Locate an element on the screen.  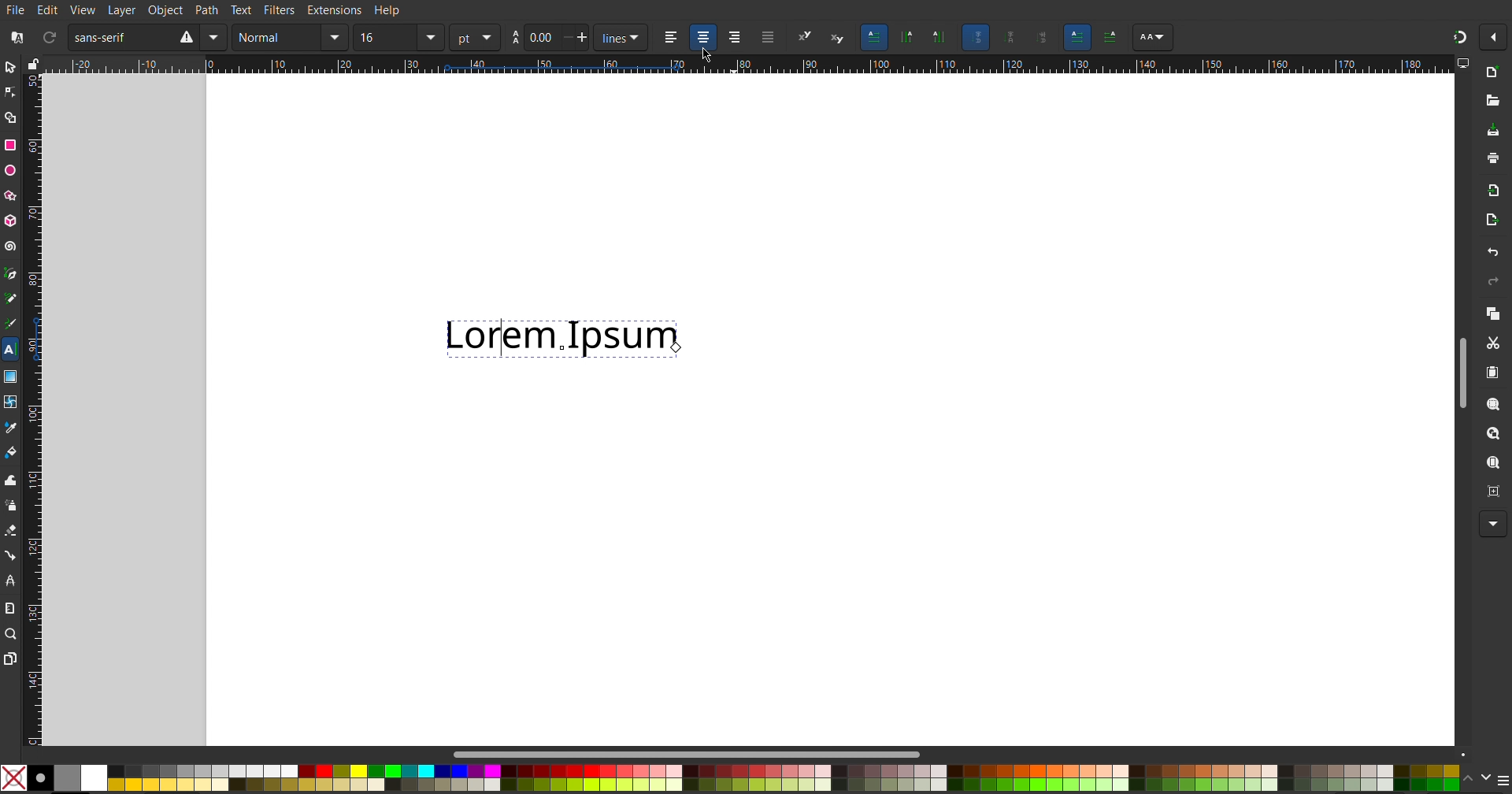
Vertical Ruler is located at coordinates (32, 410).